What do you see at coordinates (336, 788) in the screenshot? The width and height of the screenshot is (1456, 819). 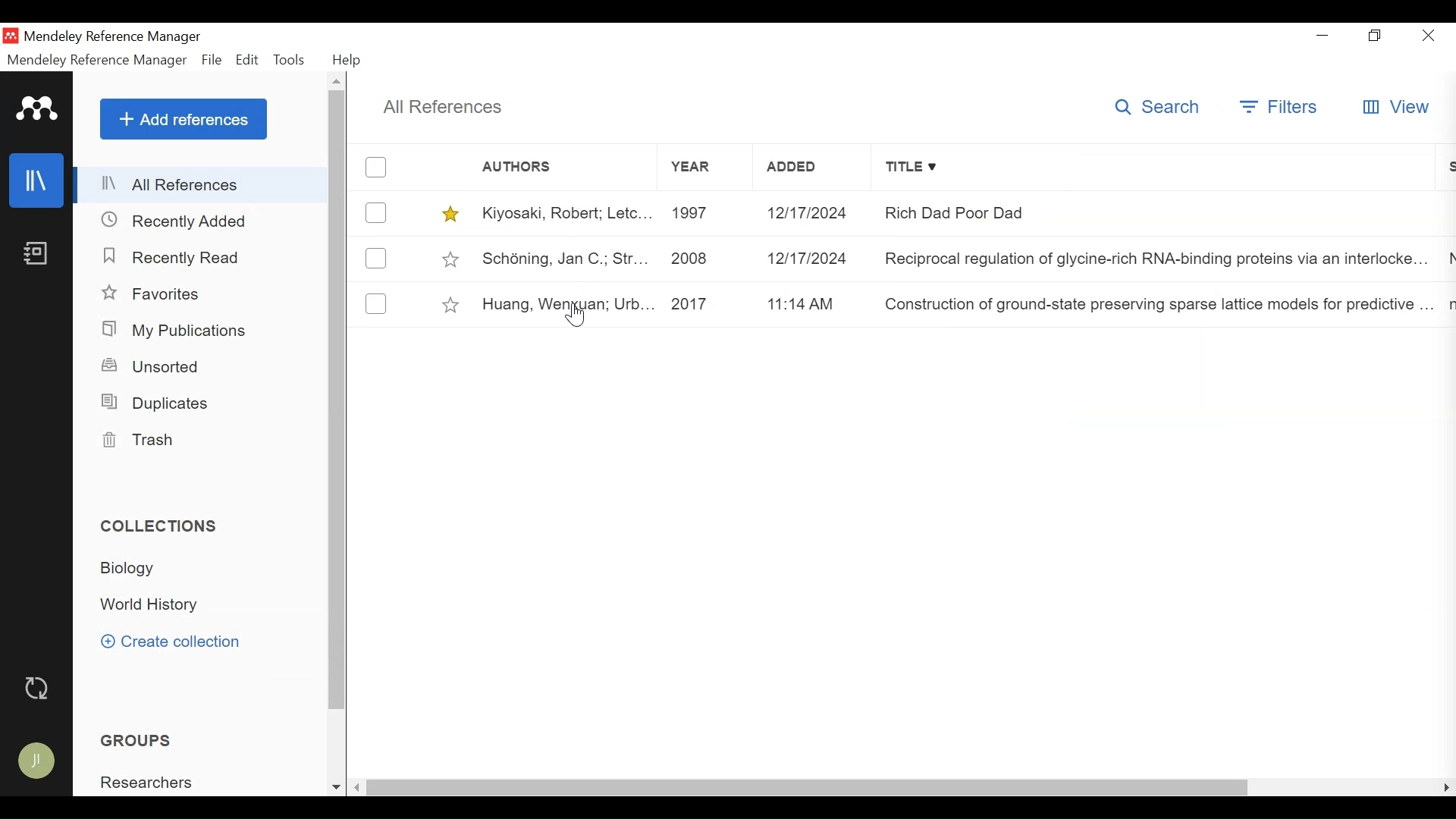 I see `Scroll down` at bounding box center [336, 788].